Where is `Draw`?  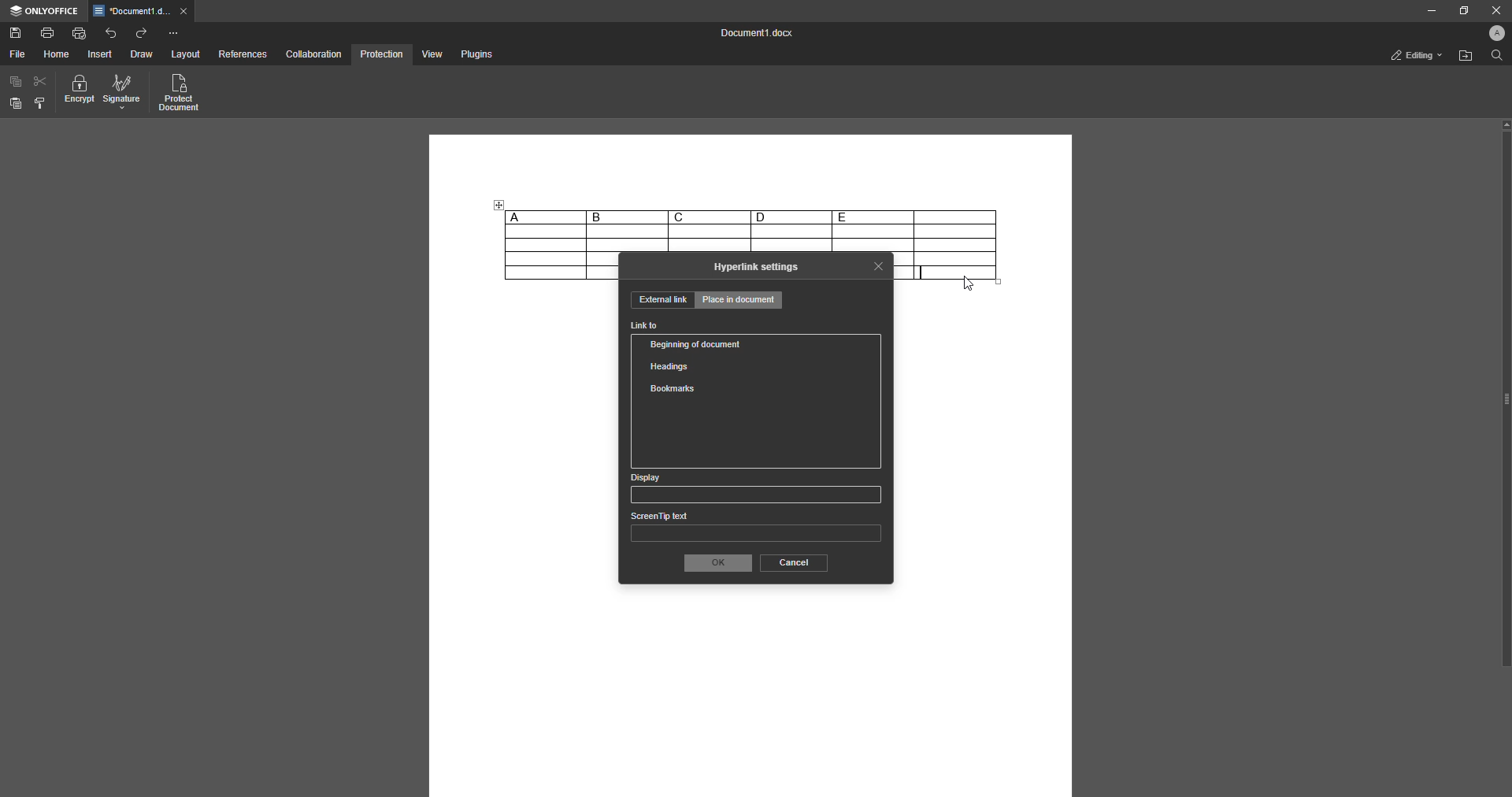
Draw is located at coordinates (141, 55).